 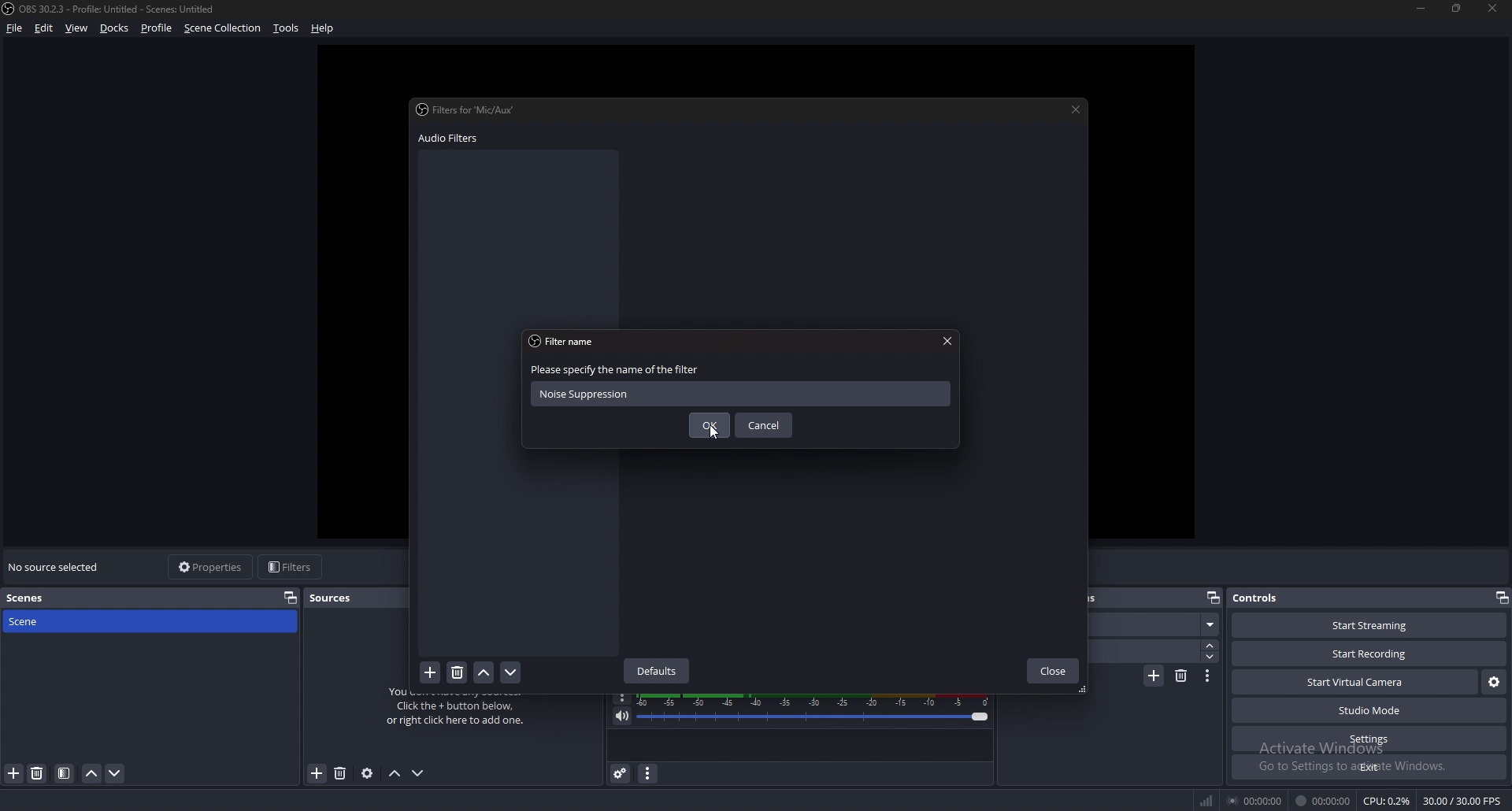 What do you see at coordinates (512, 672) in the screenshot?
I see `move filter down` at bounding box center [512, 672].